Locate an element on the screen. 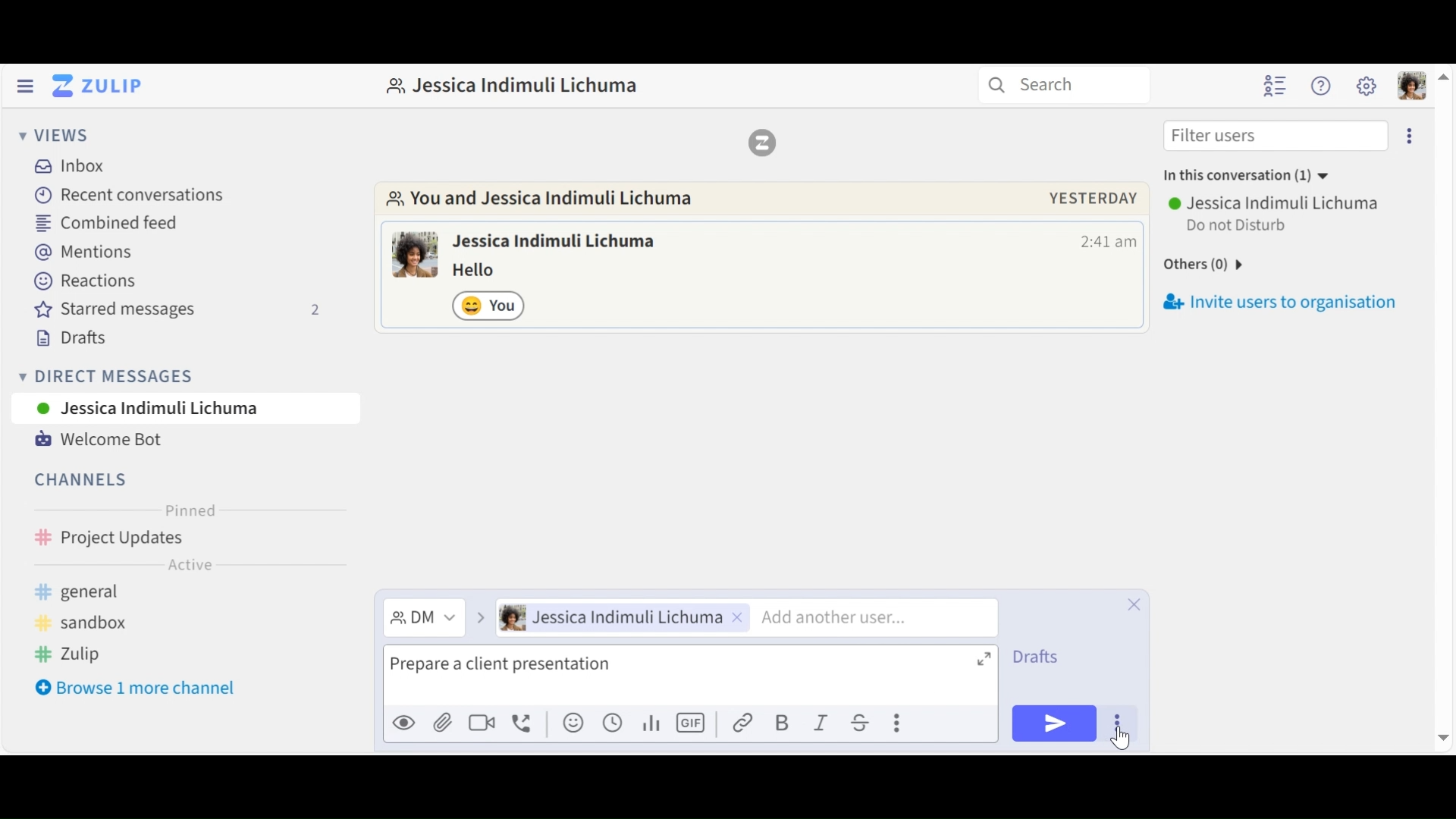 This screenshot has width=1456, height=819. Direct Message is located at coordinates (422, 617).